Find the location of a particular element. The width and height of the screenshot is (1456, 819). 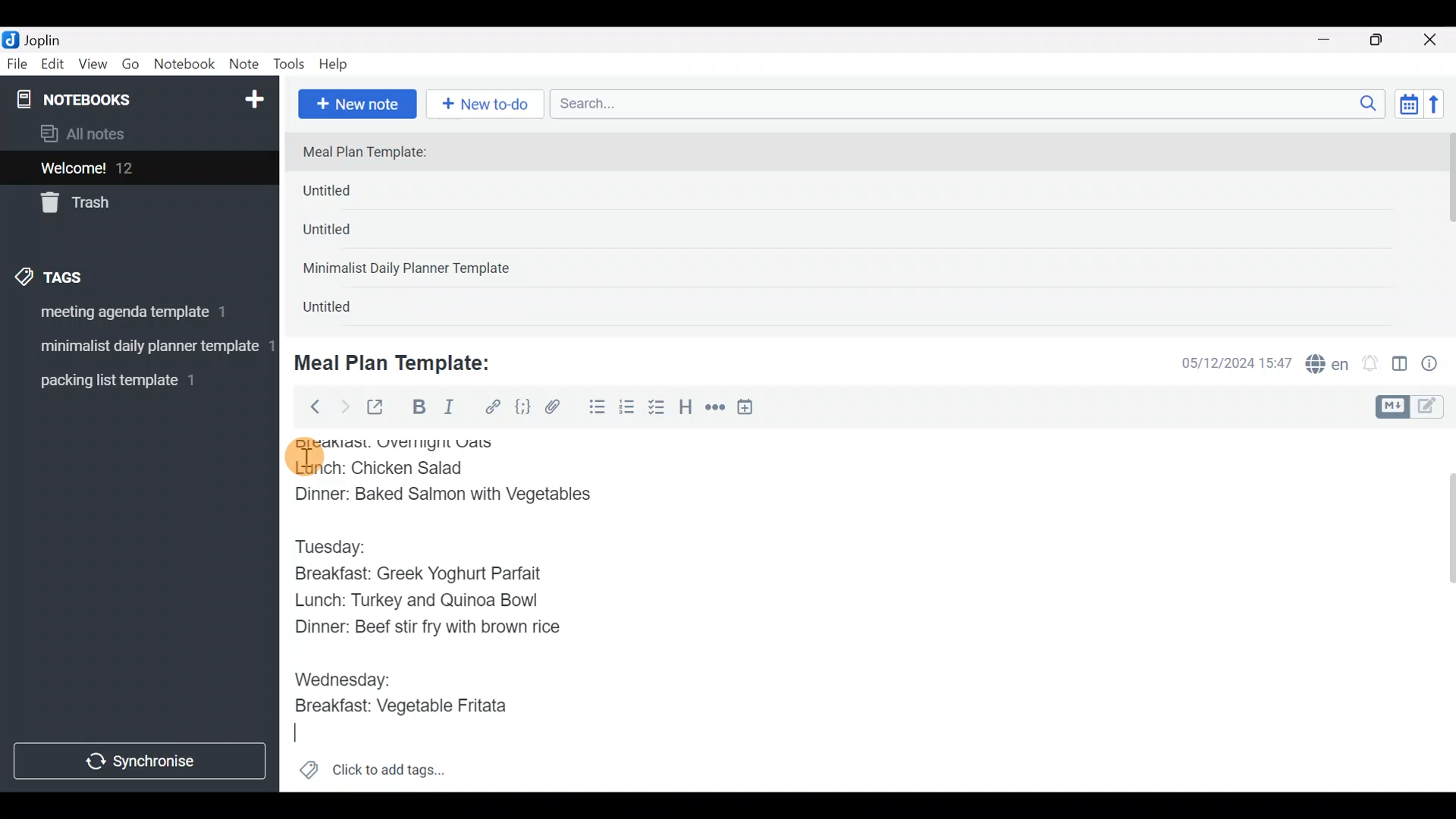

Tools is located at coordinates (290, 65).